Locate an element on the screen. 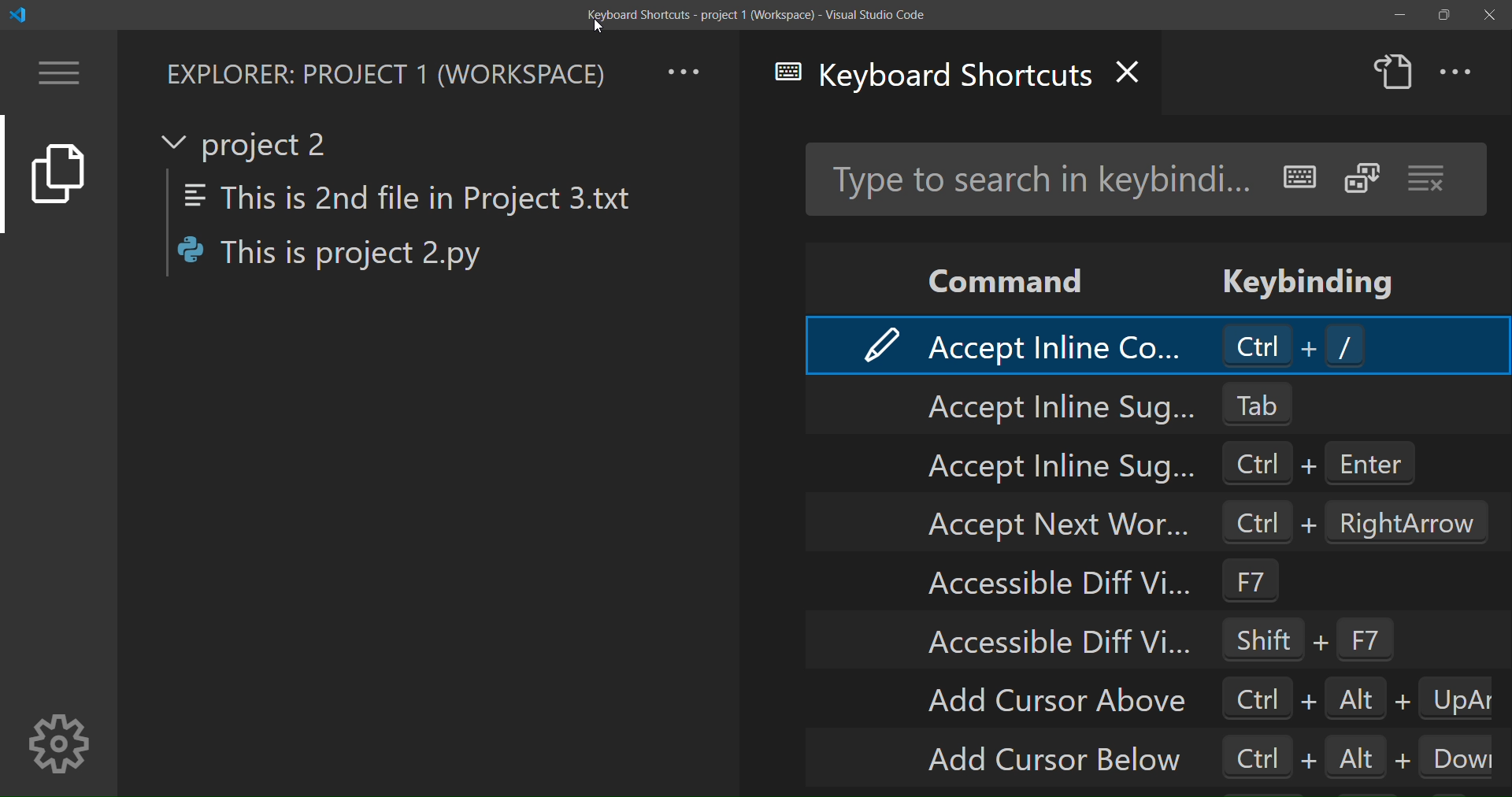 The width and height of the screenshot is (1512, 797). add cursor below is located at coordinates (1059, 760).